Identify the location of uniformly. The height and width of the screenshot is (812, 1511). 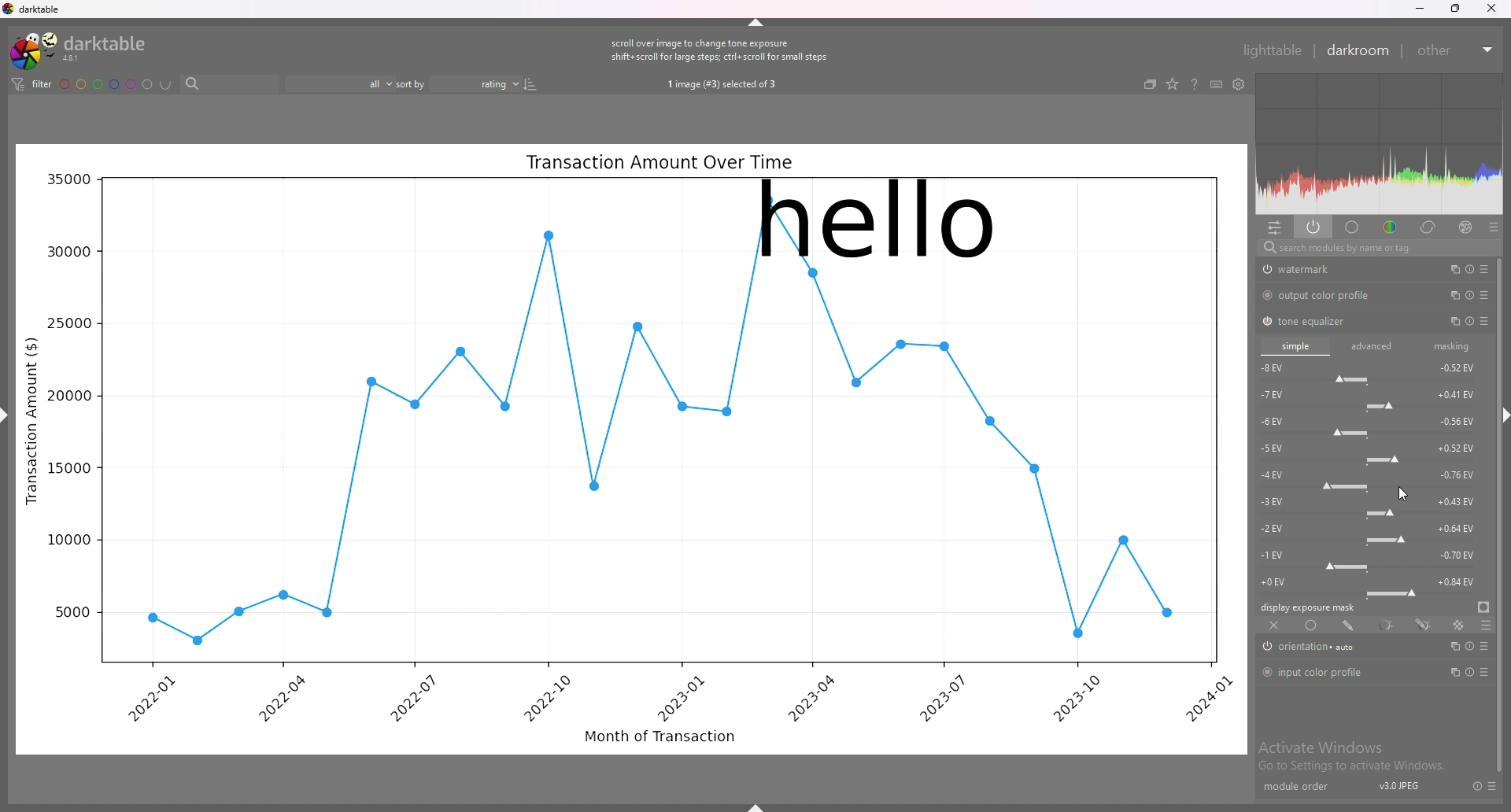
(1313, 625).